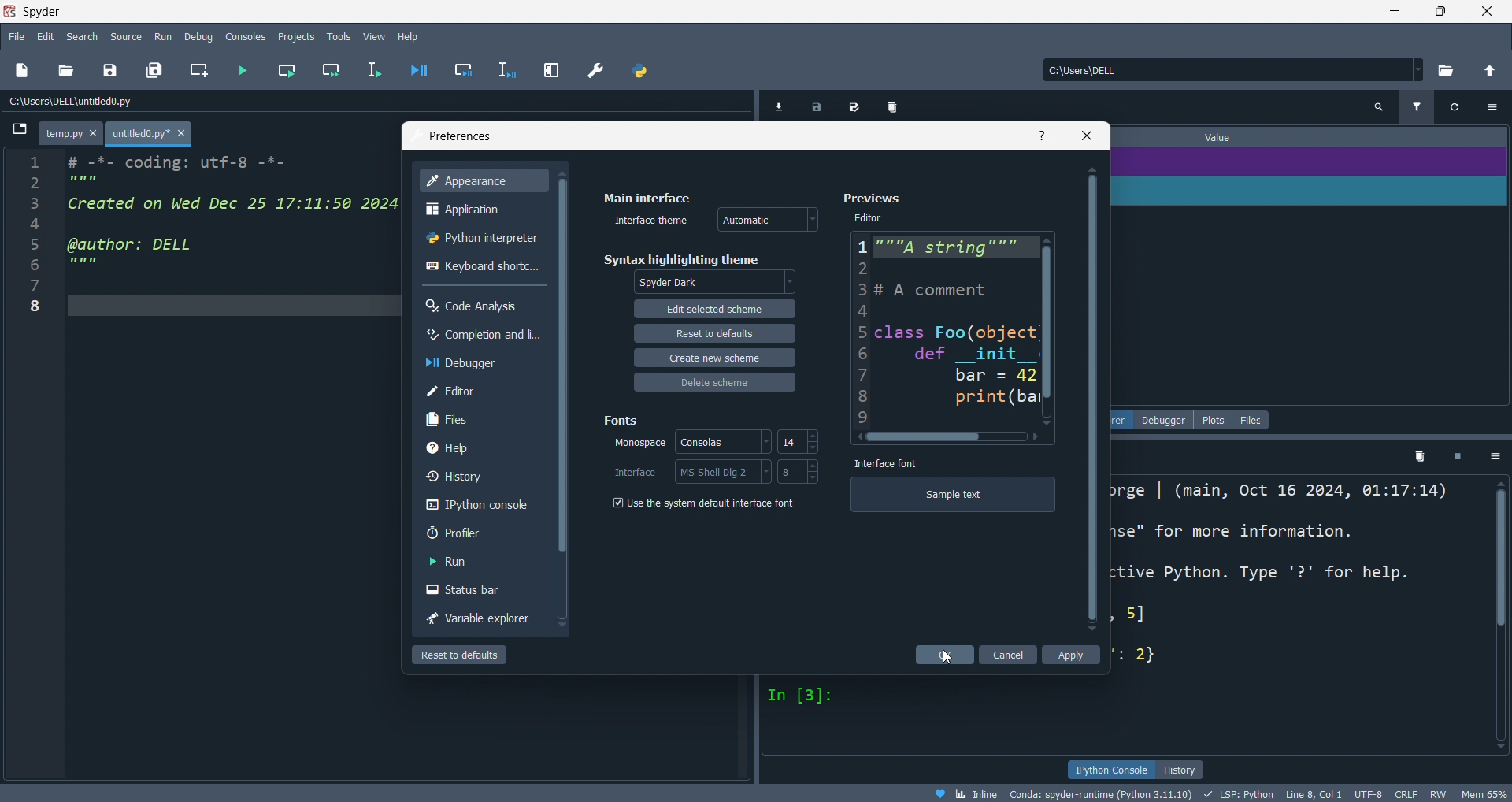  What do you see at coordinates (713, 221) in the screenshot?
I see `interface theme: Automatic` at bounding box center [713, 221].